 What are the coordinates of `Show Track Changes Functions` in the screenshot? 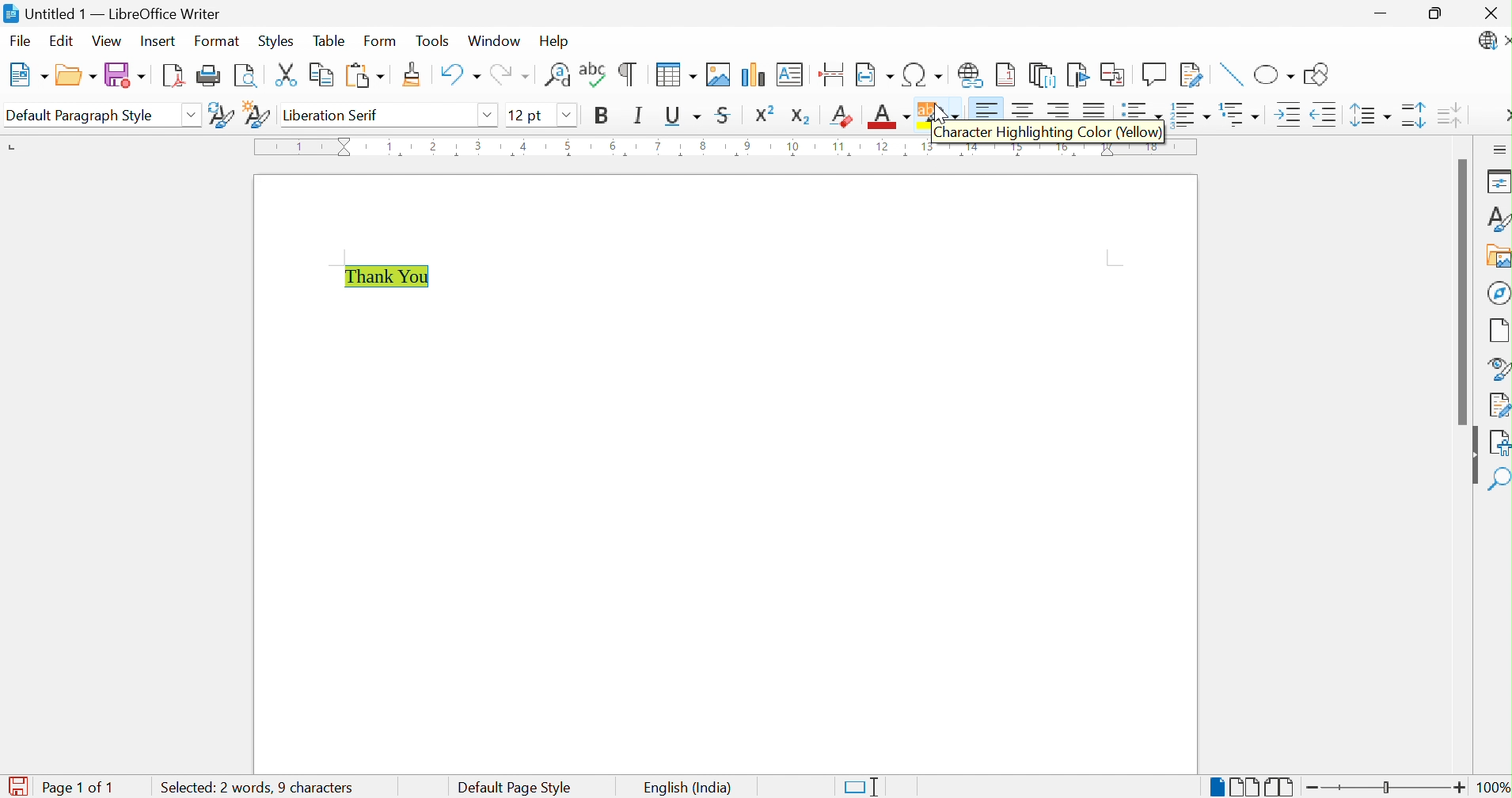 It's located at (1192, 74).